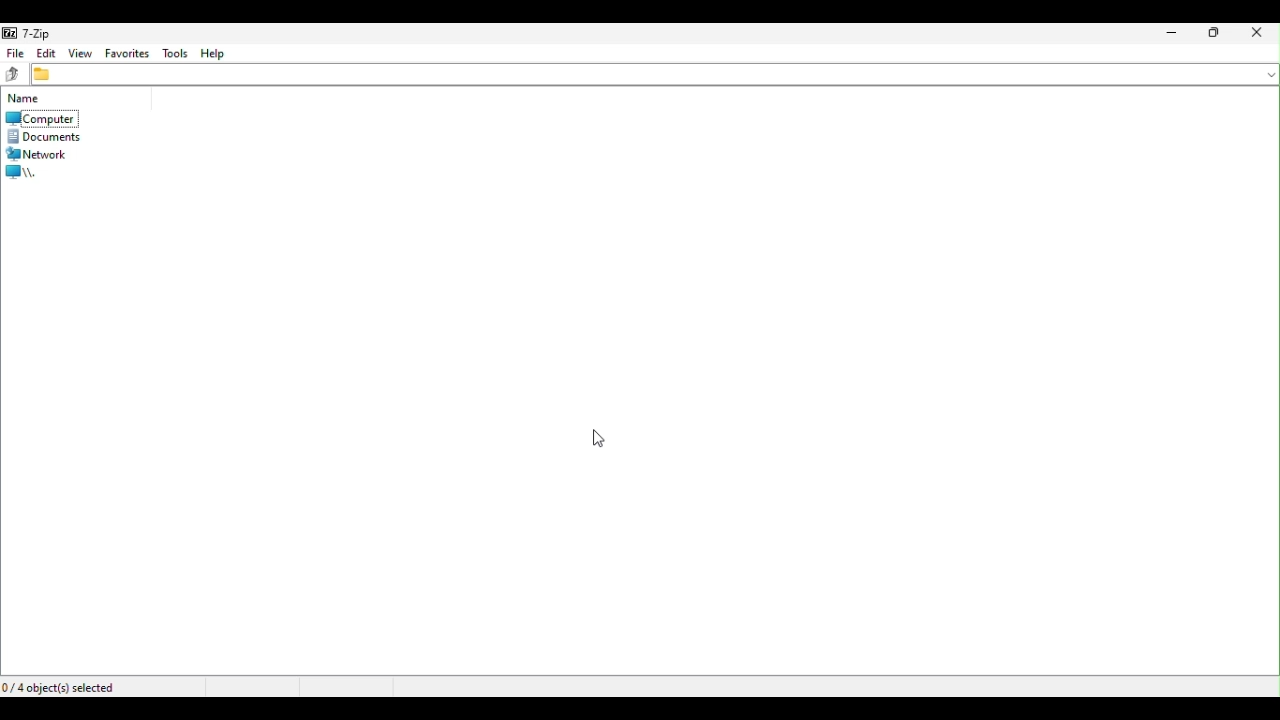 The image size is (1280, 720). Describe the element at coordinates (14, 74) in the screenshot. I see `up` at that location.